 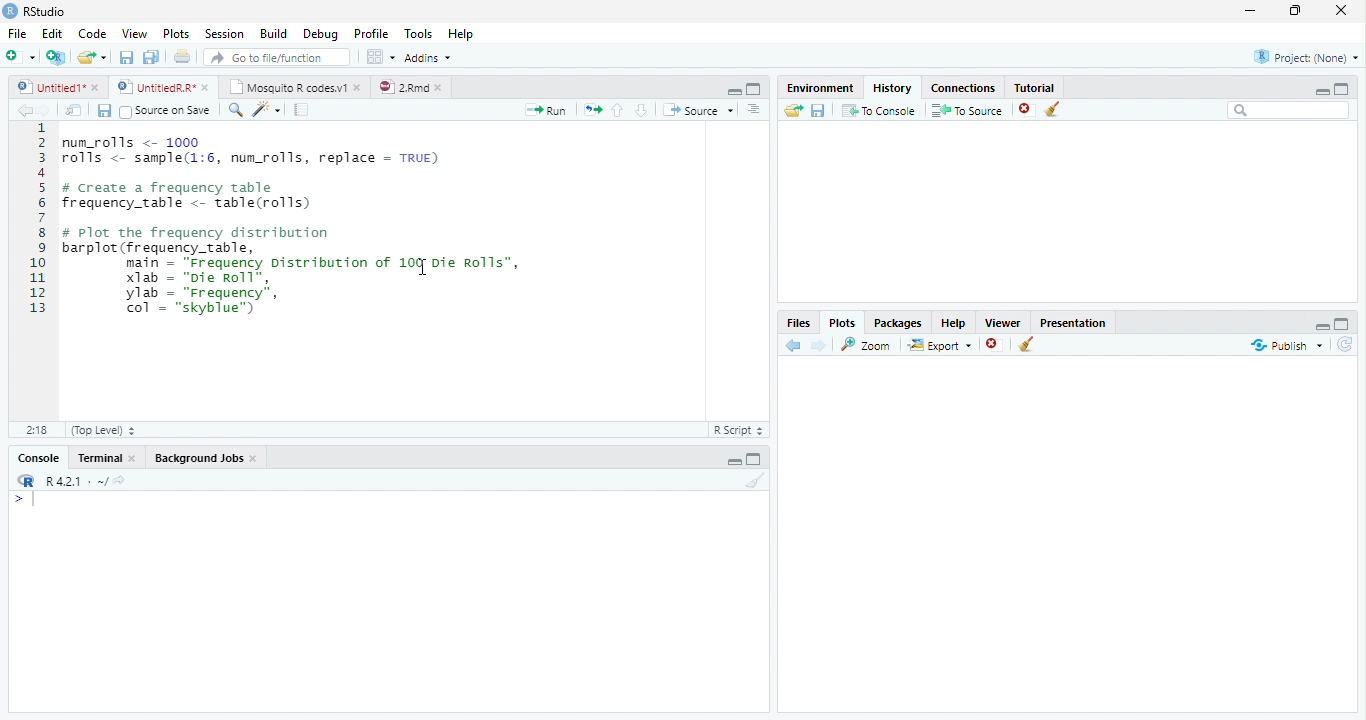 What do you see at coordinates (1251, 11) in the screenshot?
I see `Minimize` at bounding box center [1251, 11].